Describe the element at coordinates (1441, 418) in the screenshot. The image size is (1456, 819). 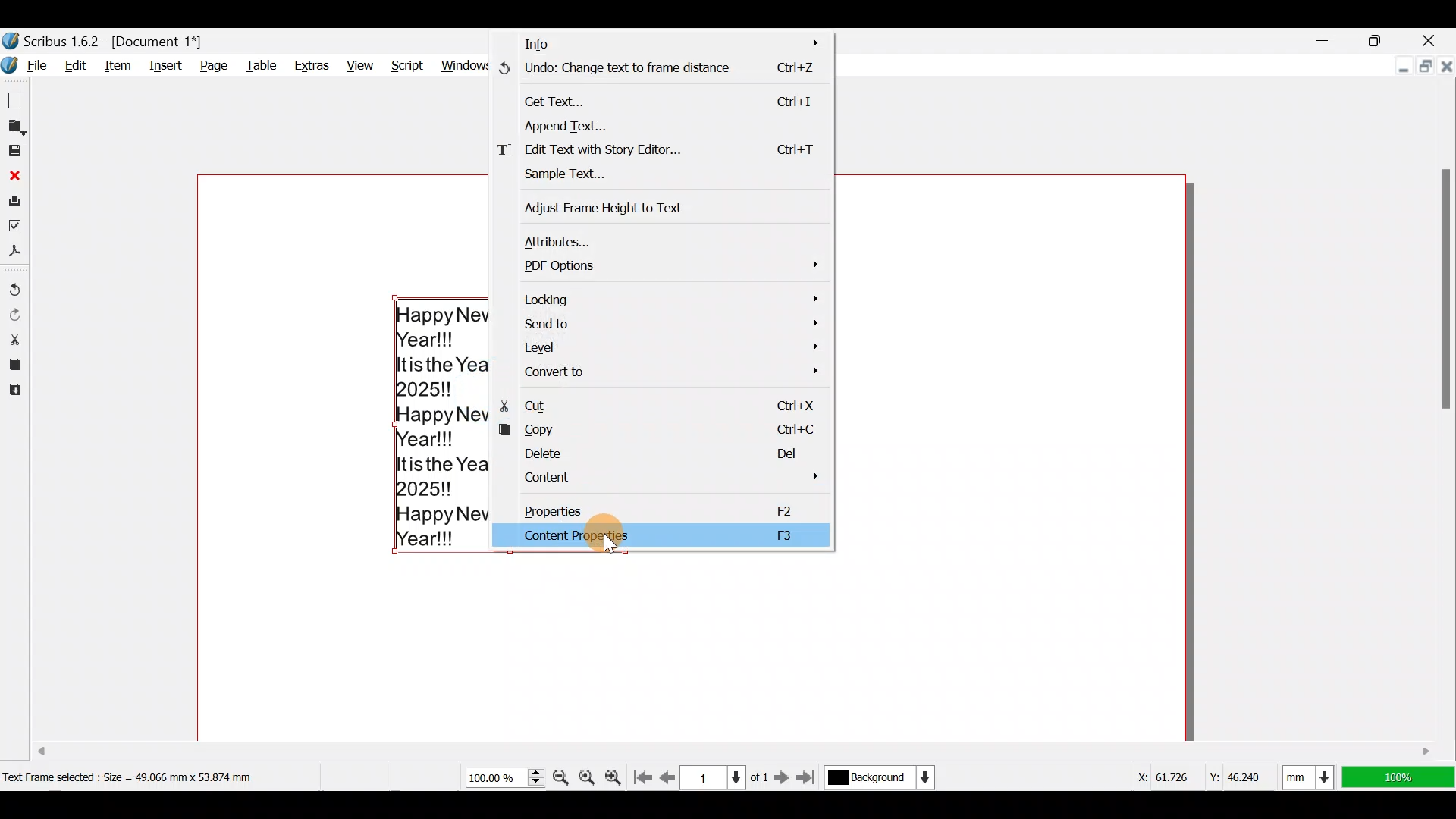
I see `Scroll bar` at that location.